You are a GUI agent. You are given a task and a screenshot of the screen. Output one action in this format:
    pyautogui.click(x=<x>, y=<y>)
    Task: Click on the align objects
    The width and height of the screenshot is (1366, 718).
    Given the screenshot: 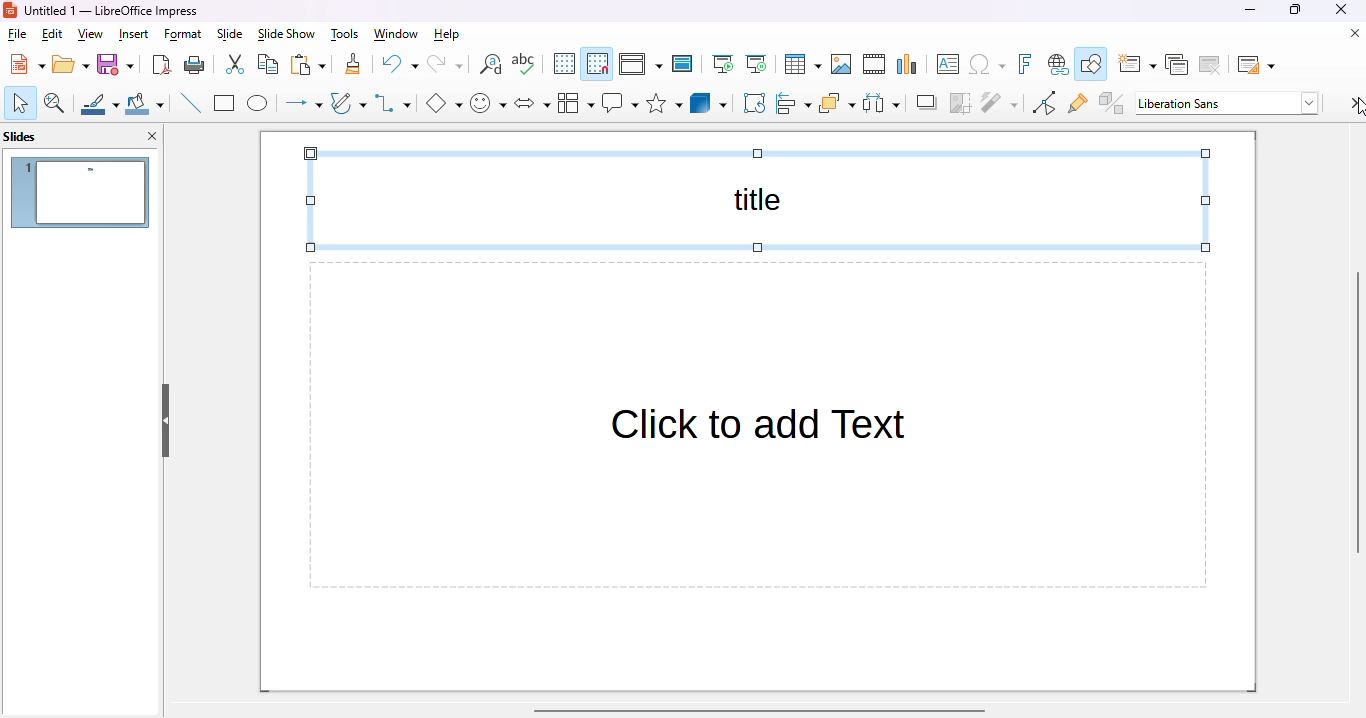 What is the action you would take?
    pyautogui.click(x=794, y=102)
    